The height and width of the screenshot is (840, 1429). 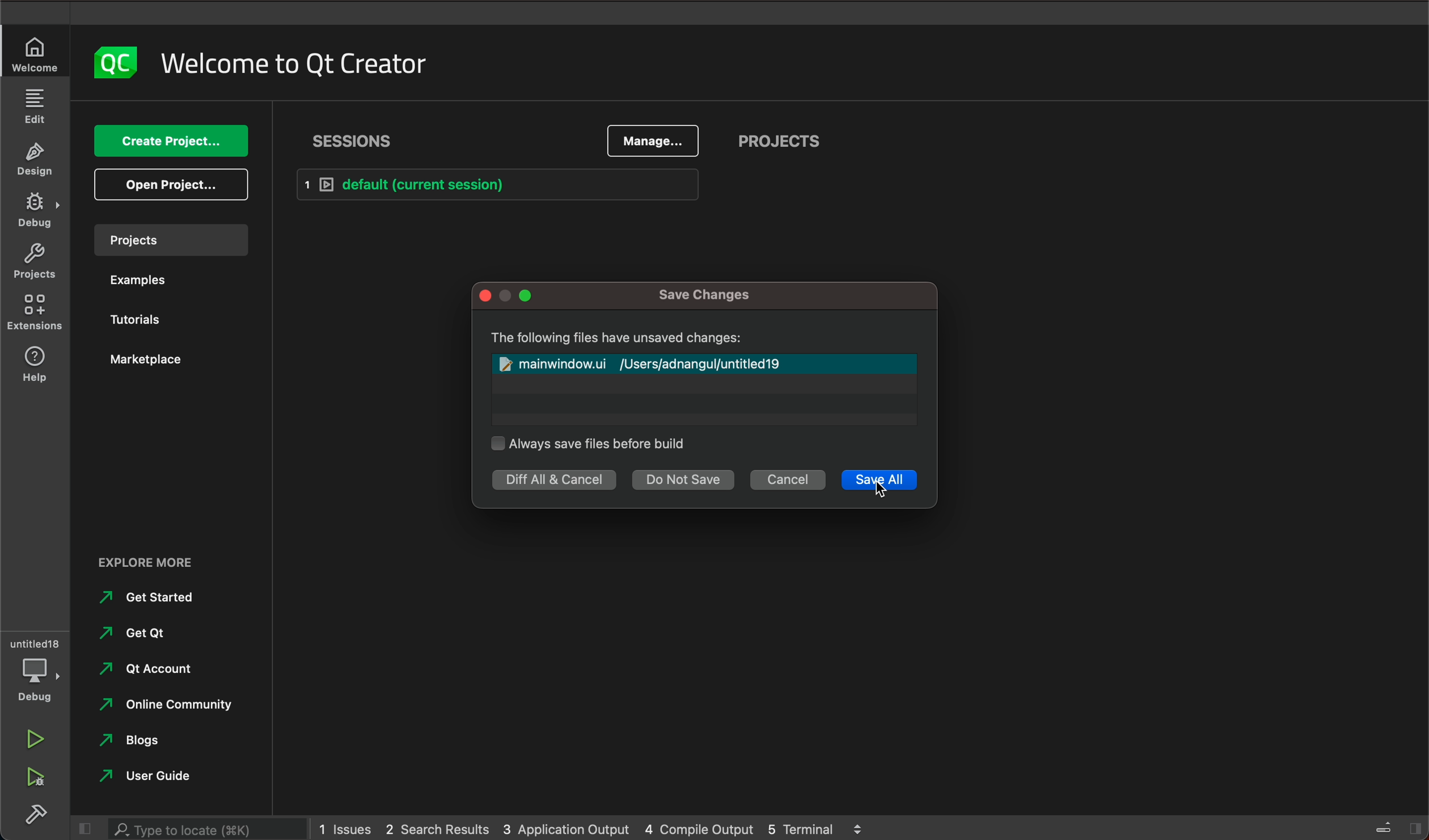 What do you see at coordinates (481, 295) in the screenshot?
I see `close` at bounding box center [481, 295].